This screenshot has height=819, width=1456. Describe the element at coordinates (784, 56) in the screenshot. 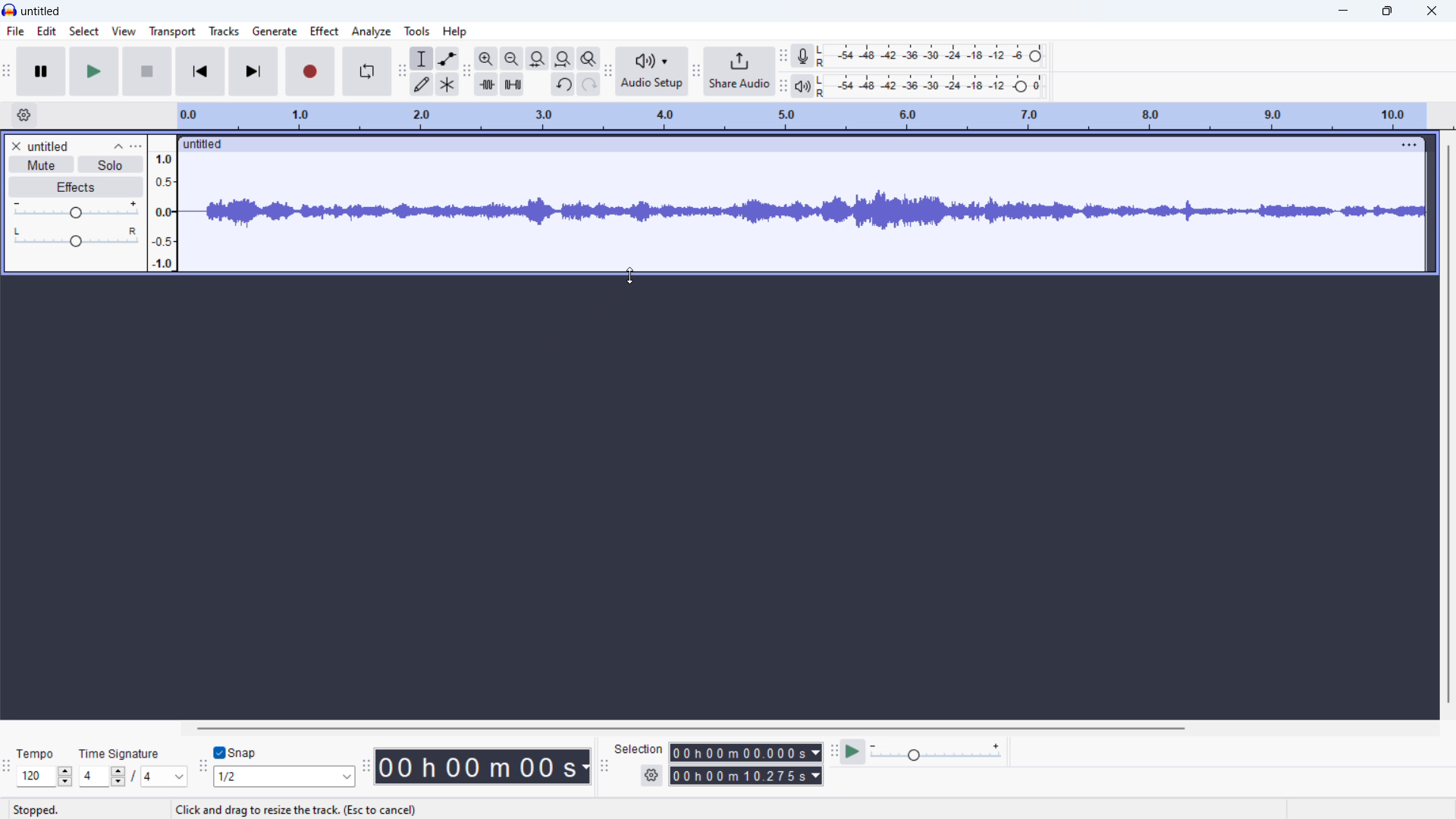

I see `recording meter toolbar` at that location.